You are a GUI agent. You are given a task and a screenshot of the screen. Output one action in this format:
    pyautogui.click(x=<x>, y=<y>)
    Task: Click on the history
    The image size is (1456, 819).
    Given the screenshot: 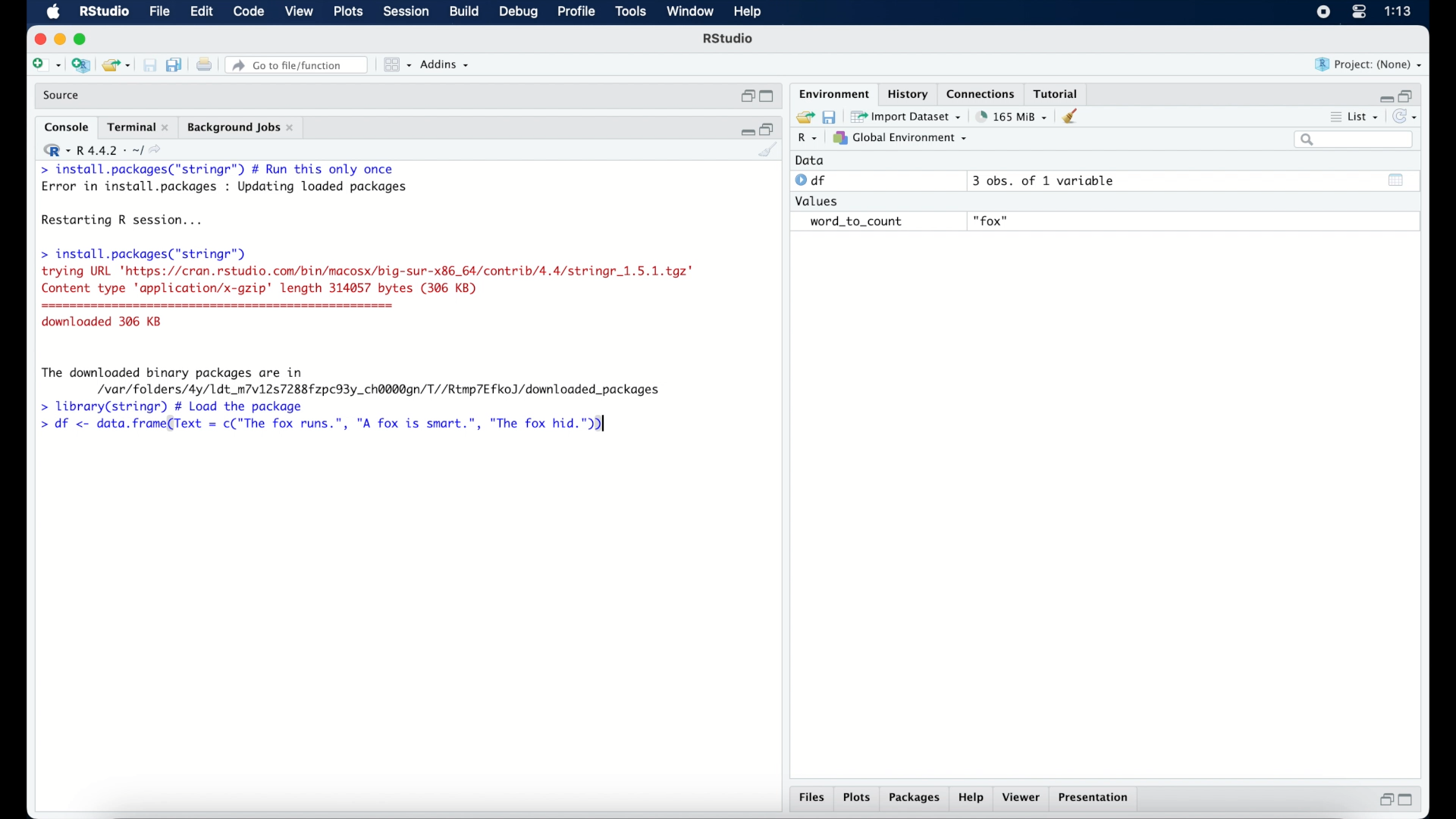 What is the action you would take?
    pyautogui.click(x=906, y=94)
    